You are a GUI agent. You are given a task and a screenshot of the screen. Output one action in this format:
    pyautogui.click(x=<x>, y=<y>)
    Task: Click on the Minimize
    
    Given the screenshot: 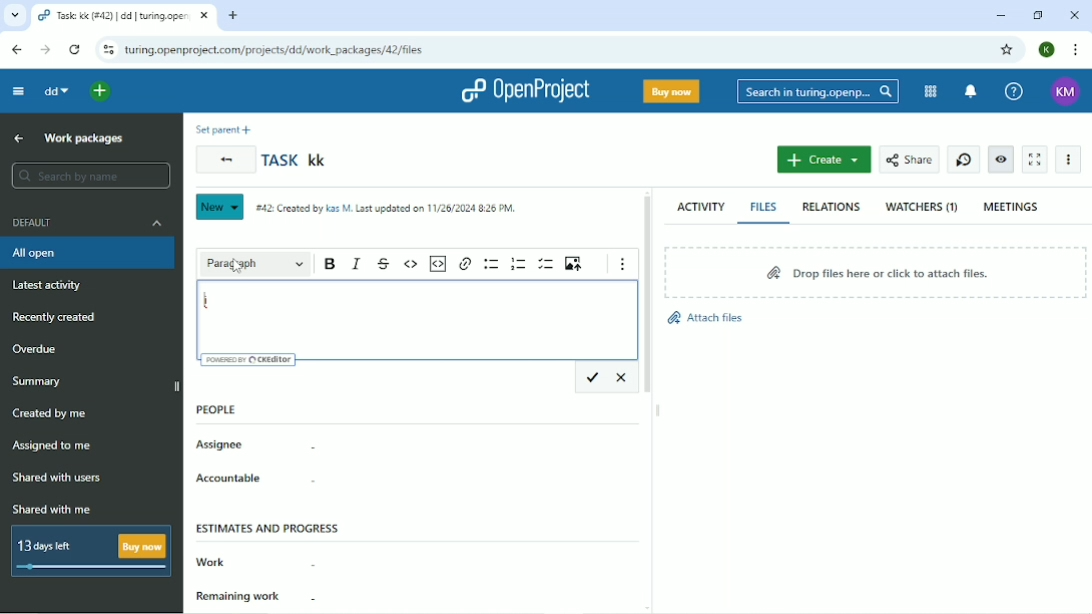 What is the action you would take?
    pyautogui.click(x=1001, y=16)
    